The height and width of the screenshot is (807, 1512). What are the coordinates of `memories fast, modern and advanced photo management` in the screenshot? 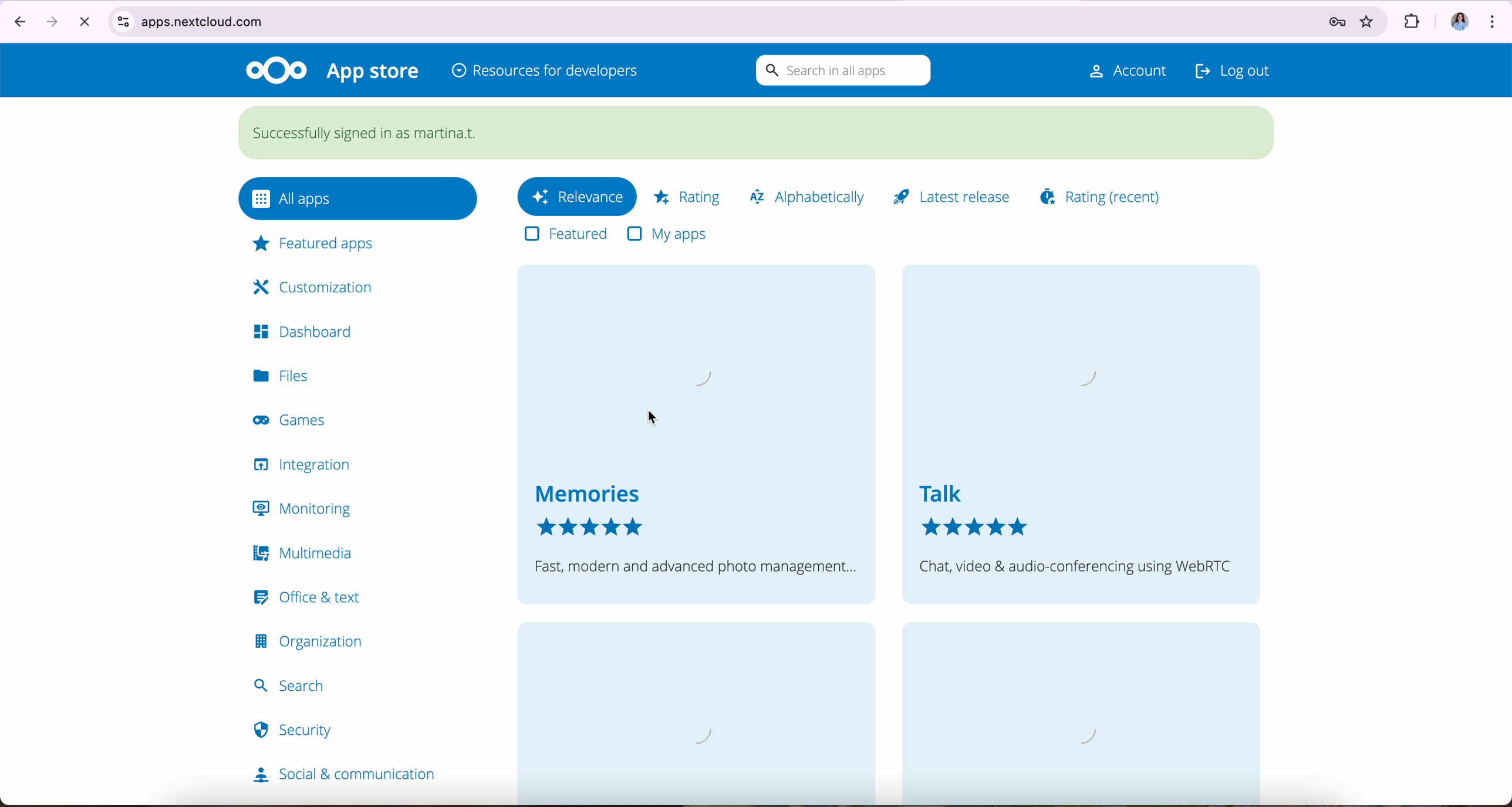 It's located at (695, 434).